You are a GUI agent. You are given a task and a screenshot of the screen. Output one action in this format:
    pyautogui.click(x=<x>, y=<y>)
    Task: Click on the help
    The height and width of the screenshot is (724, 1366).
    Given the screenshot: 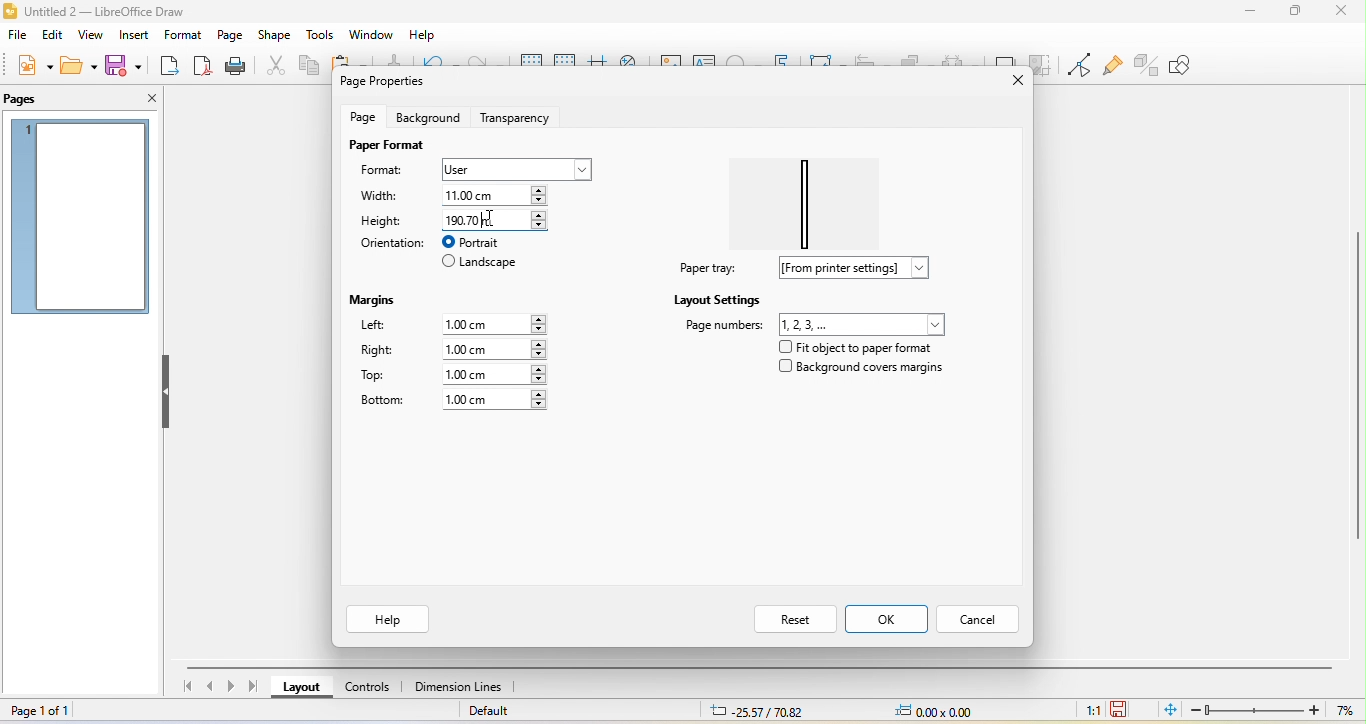 What is the action you would take?
    pyautogui.click(x=420, y=36)
    